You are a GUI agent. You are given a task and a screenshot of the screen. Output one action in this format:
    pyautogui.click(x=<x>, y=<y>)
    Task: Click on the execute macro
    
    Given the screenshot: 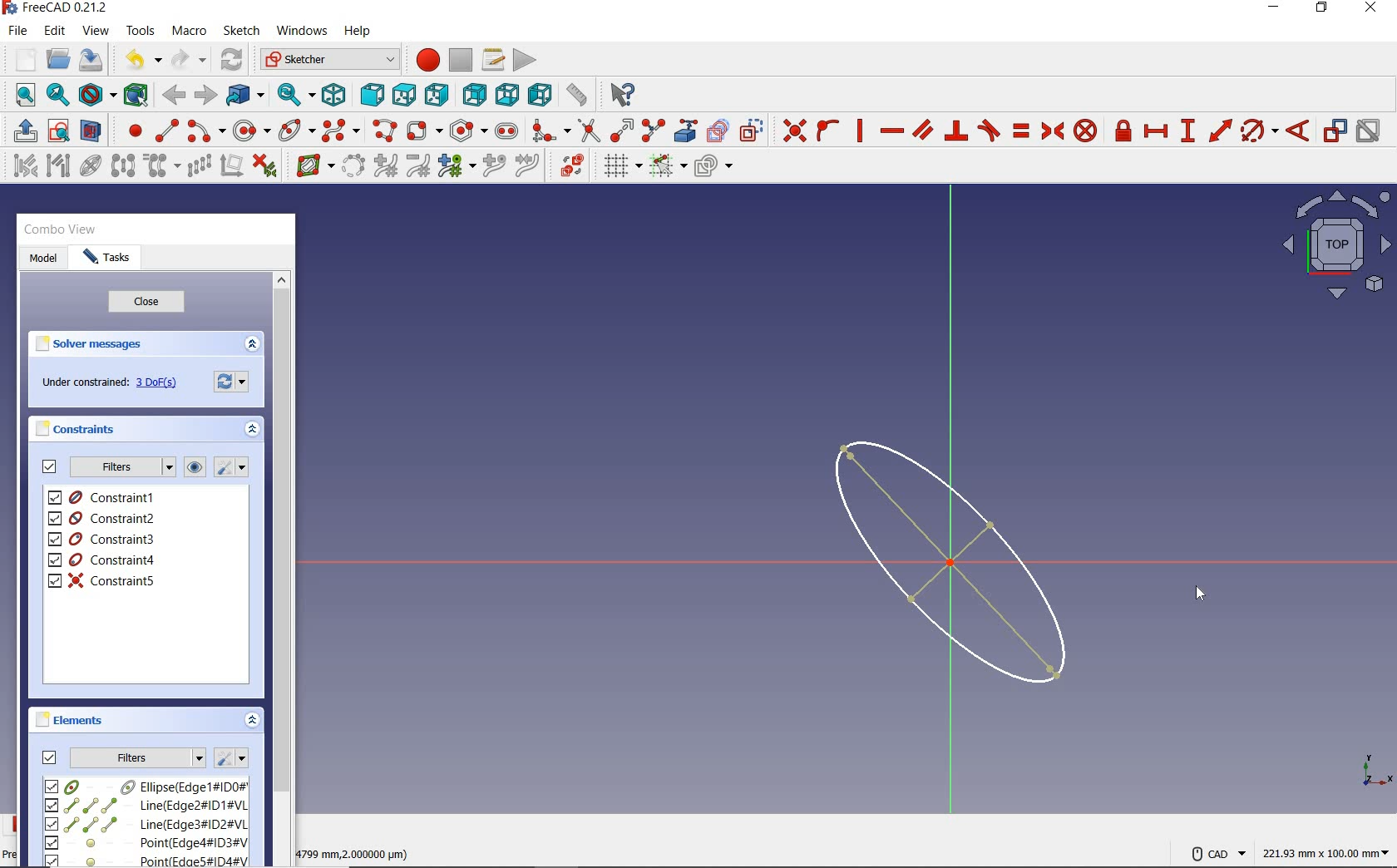 What is the action you would take?
    pyautogui.click(x=526, y=58)
    